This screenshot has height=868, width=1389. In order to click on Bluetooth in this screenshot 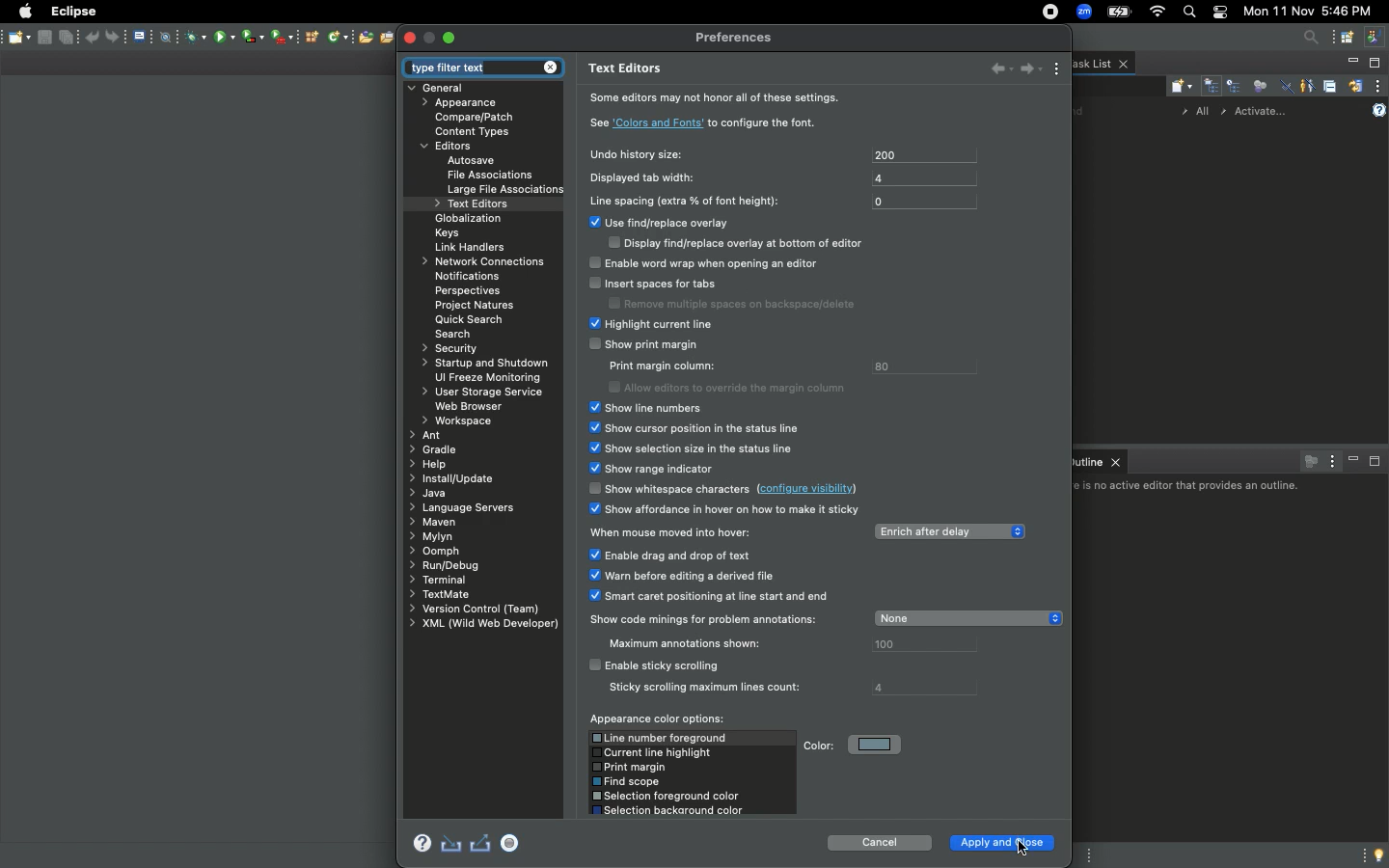, I will do `click(264, 40)`.